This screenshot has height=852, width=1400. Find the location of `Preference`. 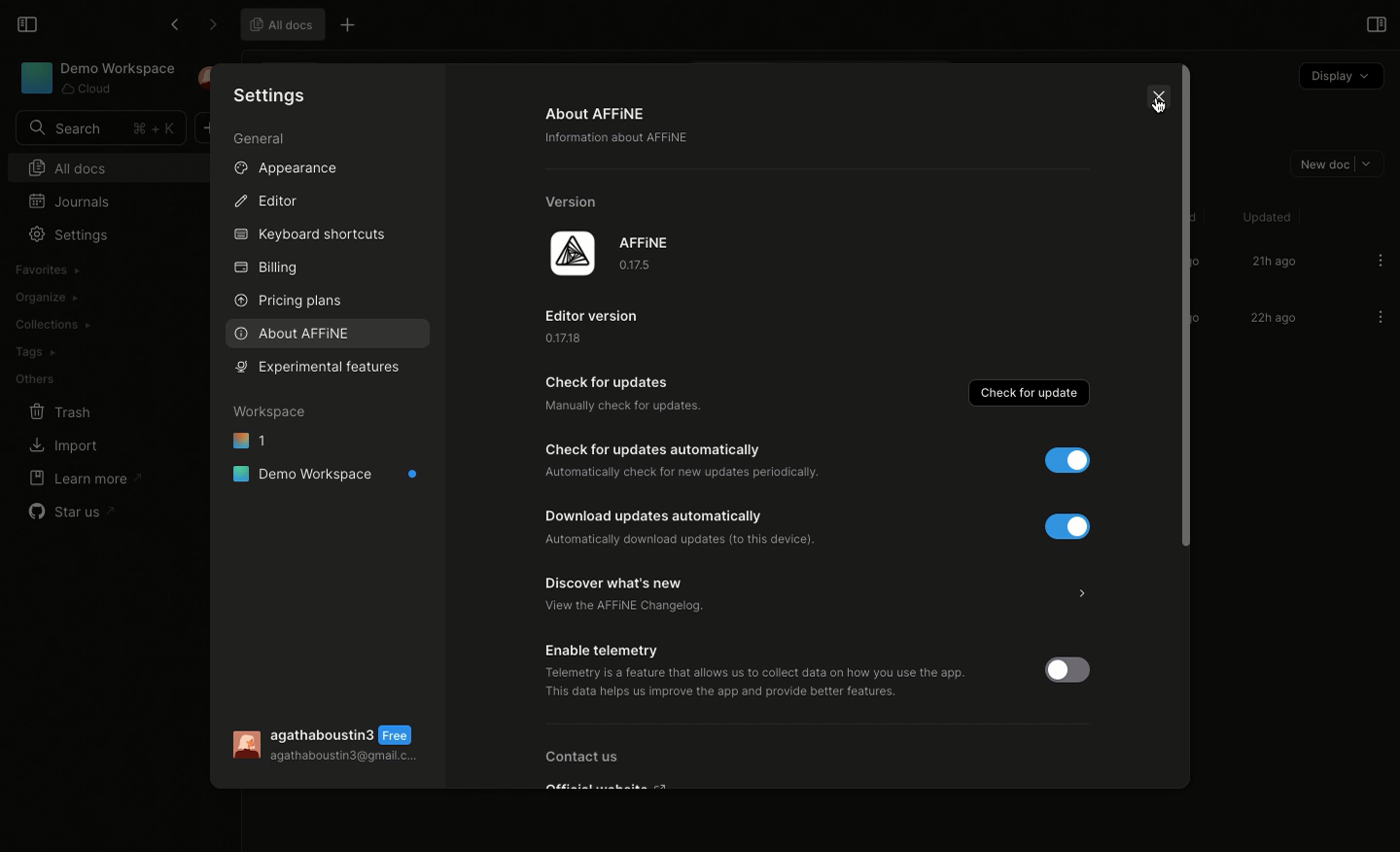

Preference is located at coordinates (295, 507).